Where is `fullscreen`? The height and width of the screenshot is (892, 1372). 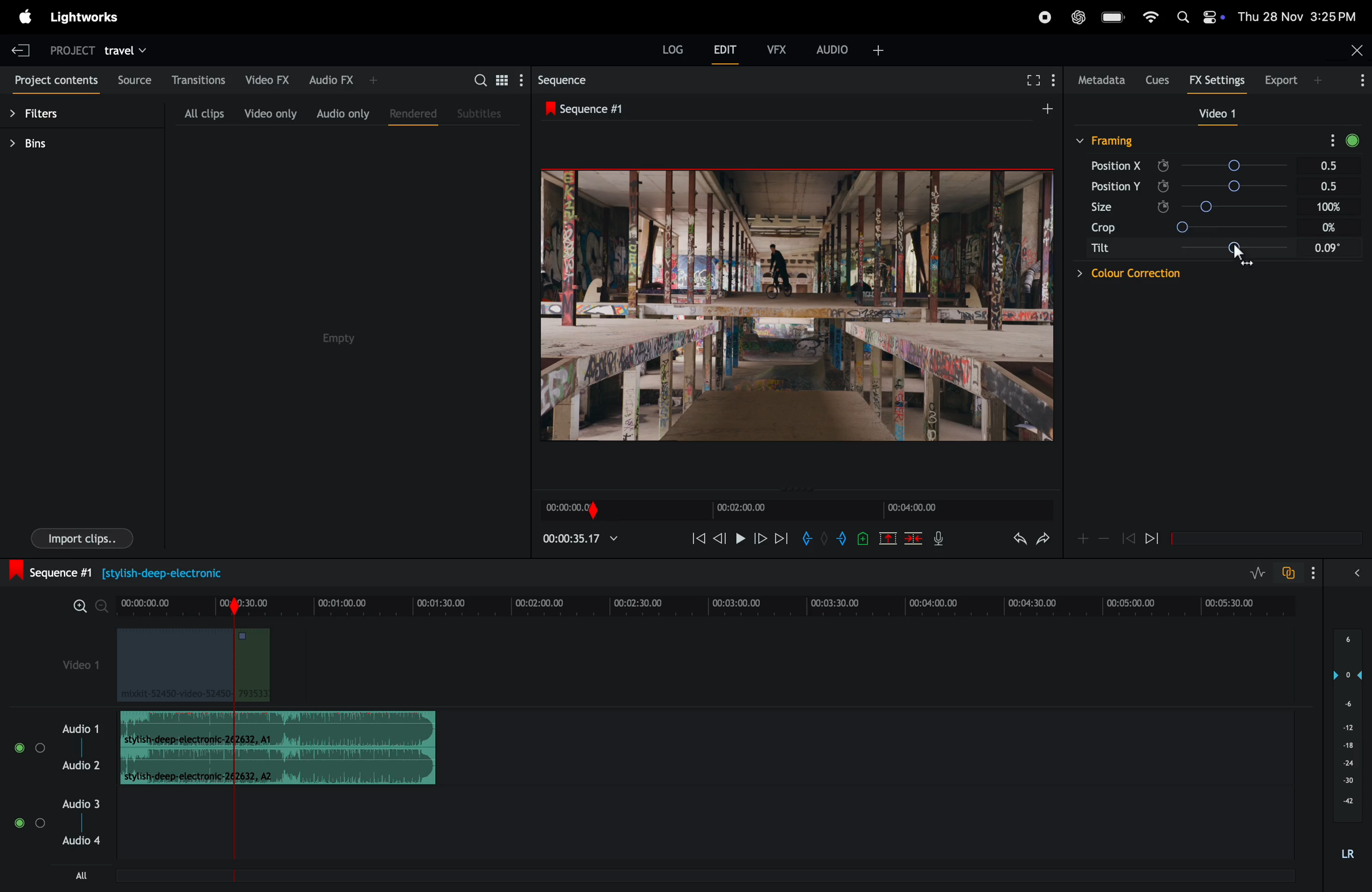 fullscreen is located at coordinates (1032, 82).